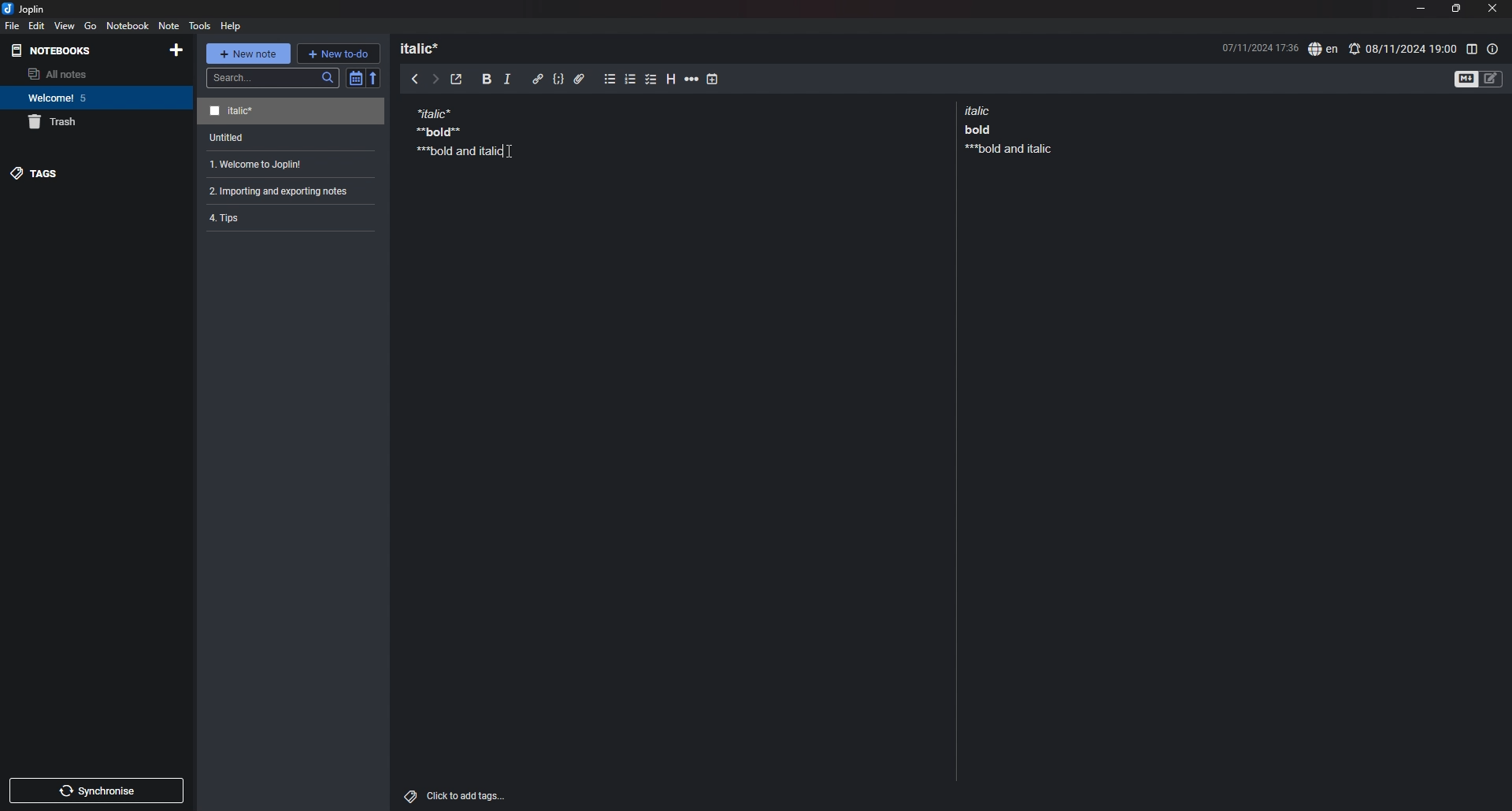 This screenshot has width=1512, height=811. I want to click on bullet list, so click(610, 80).